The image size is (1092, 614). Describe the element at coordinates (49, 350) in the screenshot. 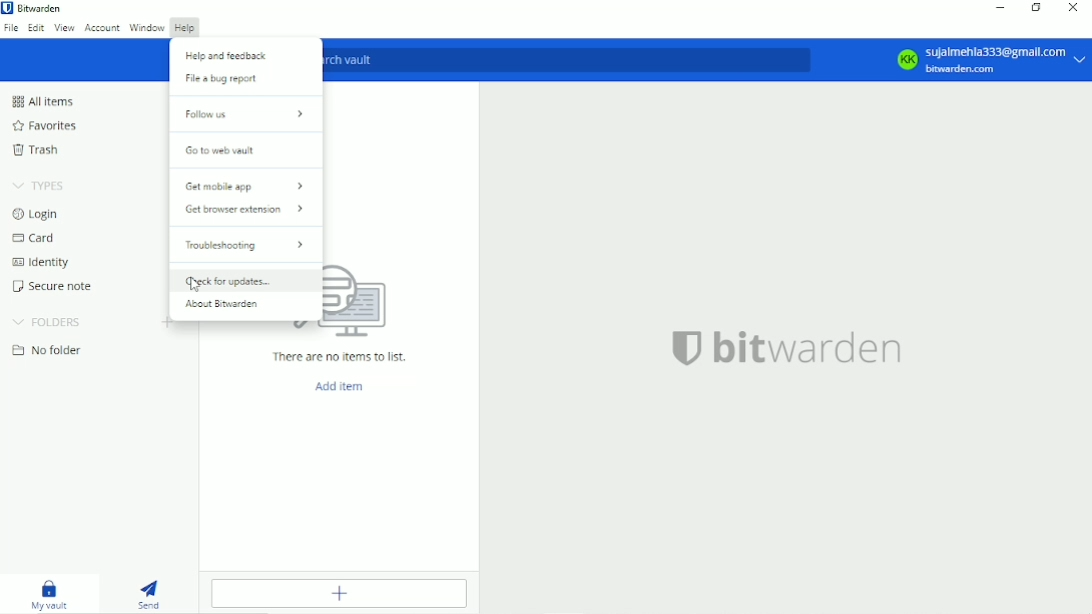

I see `No folder` at that location.